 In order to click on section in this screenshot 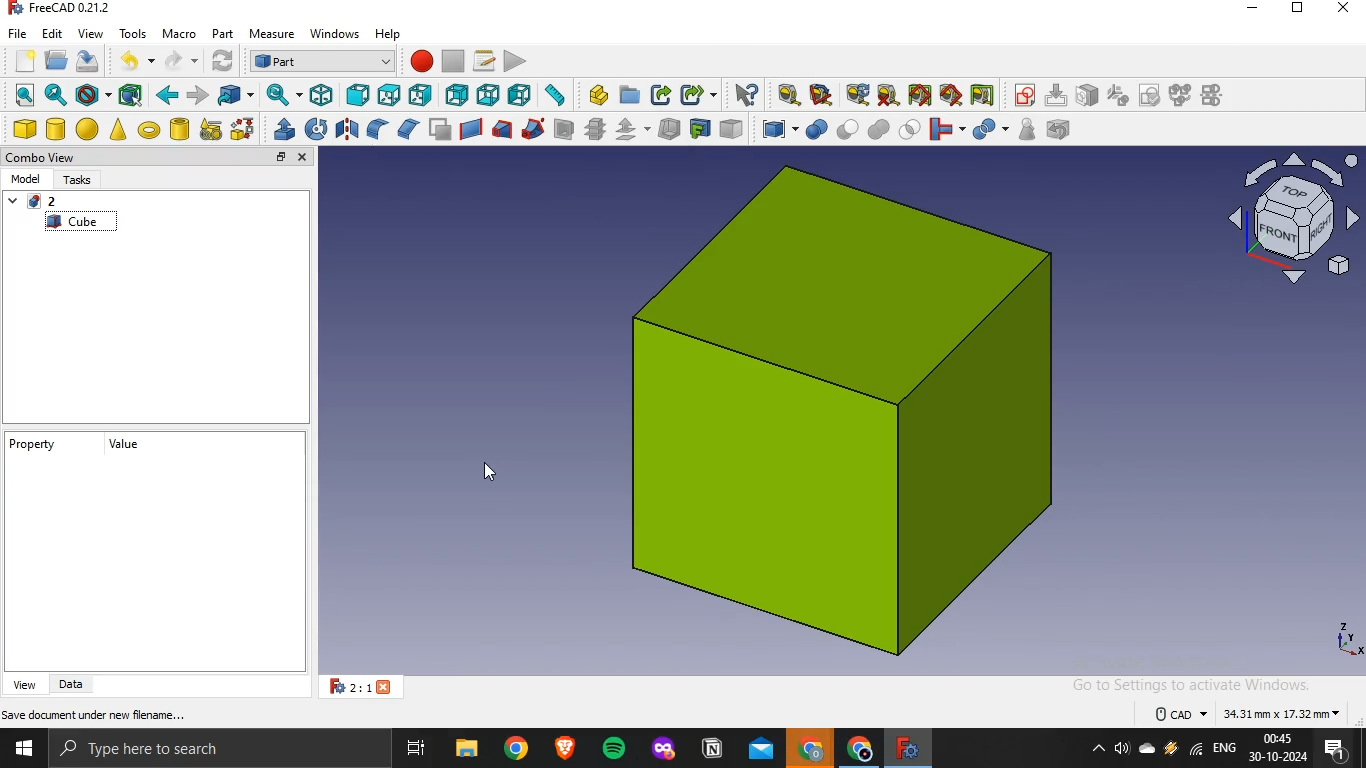, I will do `click(563, 129)`.